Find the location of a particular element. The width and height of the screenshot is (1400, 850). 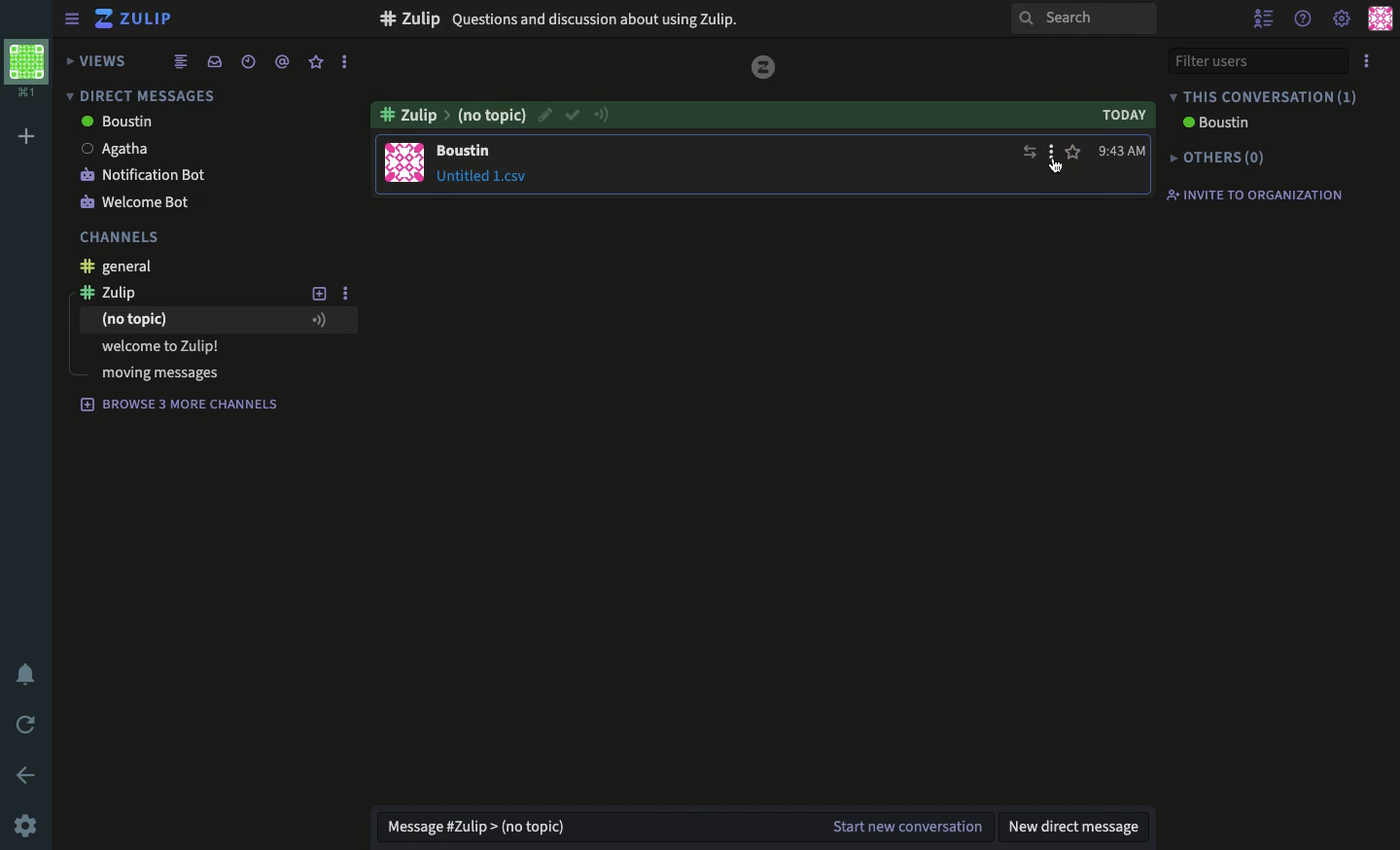

options is located at coordinates (345, 61).